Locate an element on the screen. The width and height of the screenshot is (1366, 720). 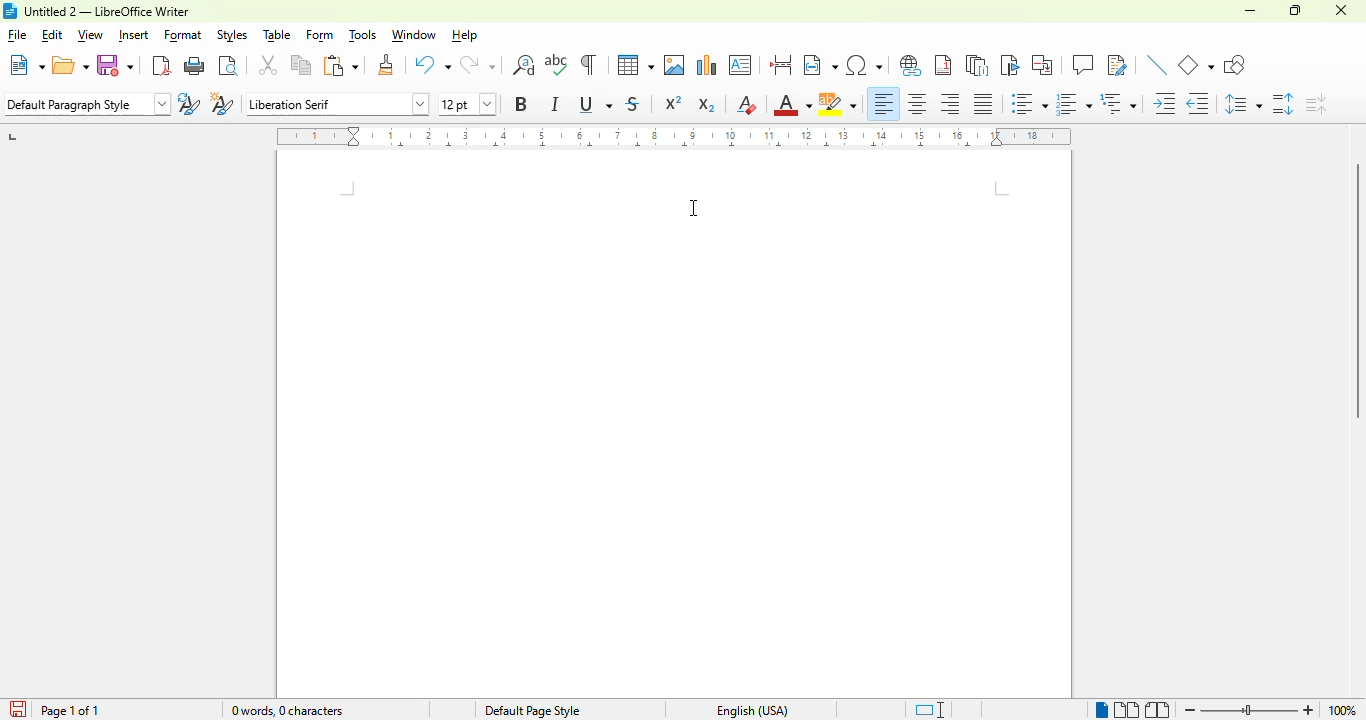
font name is located at coordinates (339, 103).